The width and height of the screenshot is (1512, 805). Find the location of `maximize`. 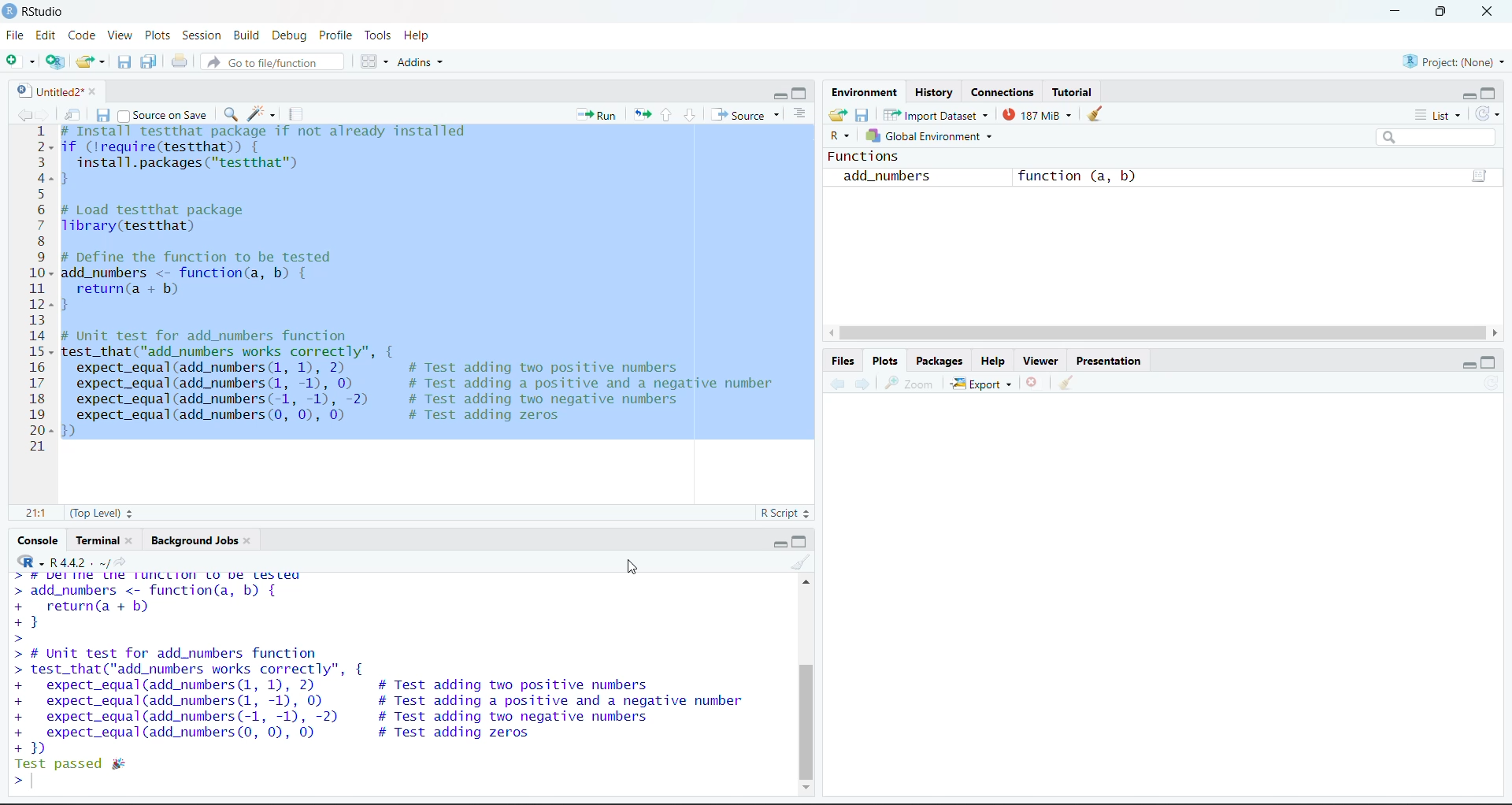

maximize is located at coordinates (1490, 93).